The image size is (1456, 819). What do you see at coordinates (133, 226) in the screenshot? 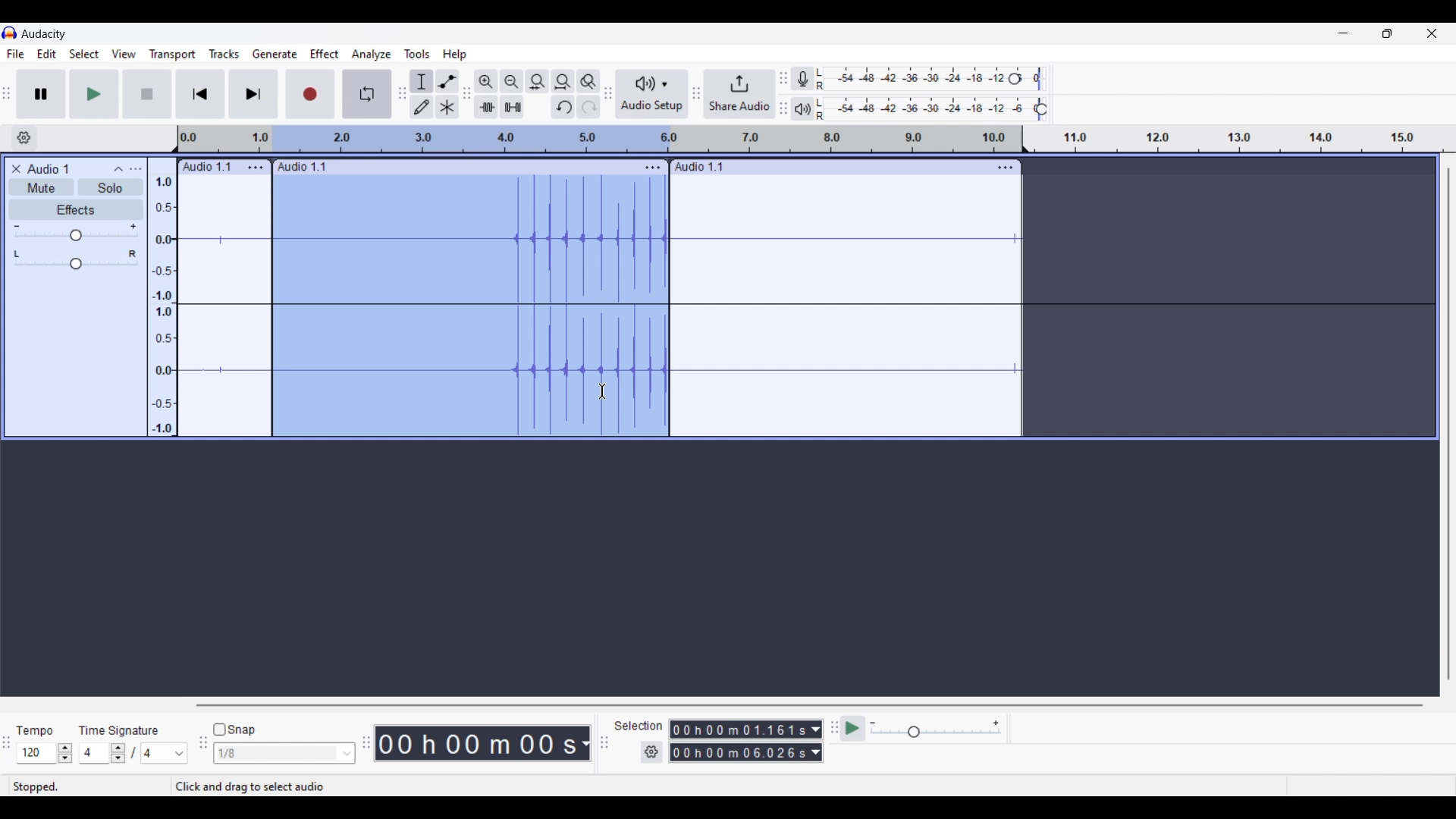
I see `Maximum gain` at bounding box center [133, 226].